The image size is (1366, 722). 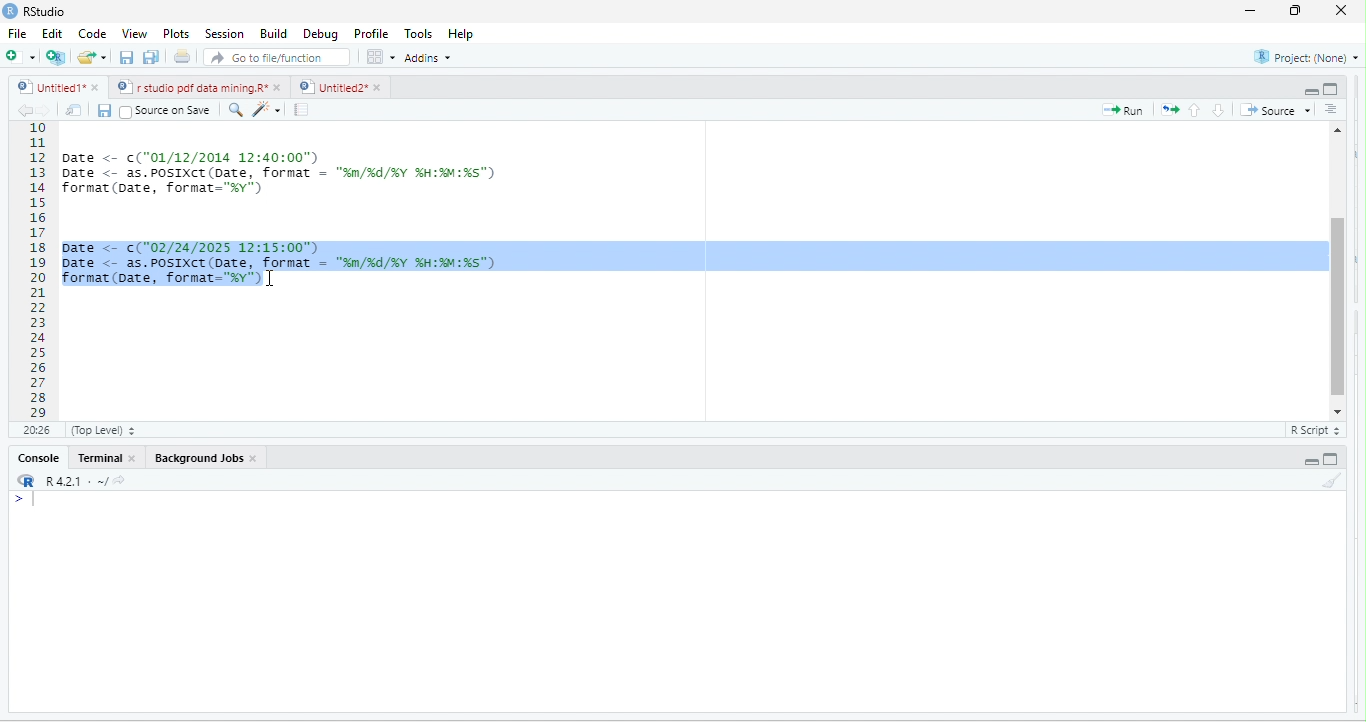 What do you see at coordinates (320, 36) in the screenshot?
I see `Debug` at bounding box center [320, 36].